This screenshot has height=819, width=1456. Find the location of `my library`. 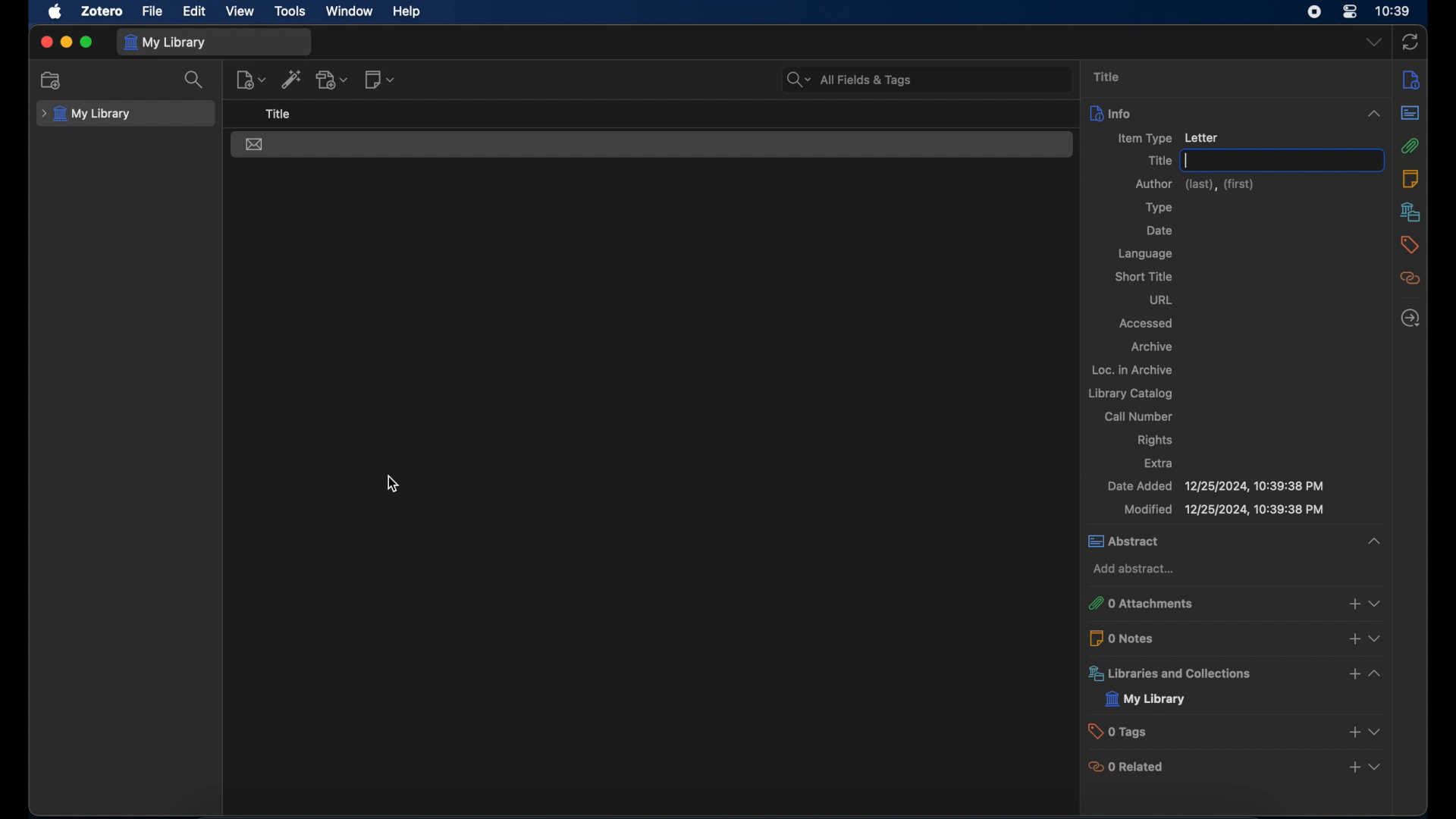

my library is located at coordinates (86, 114).